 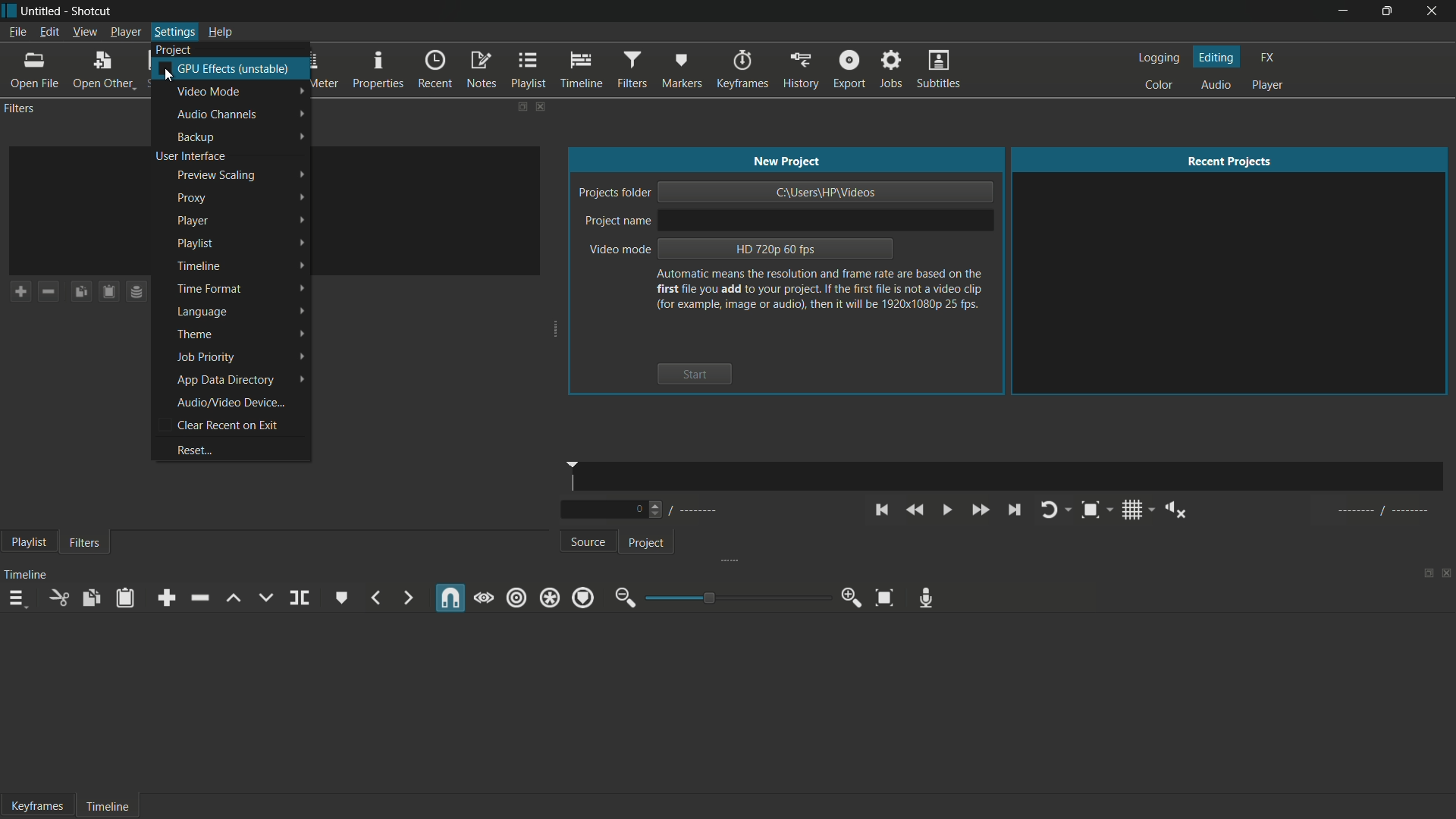 I want to click on project name, so click(x=618, y=221).